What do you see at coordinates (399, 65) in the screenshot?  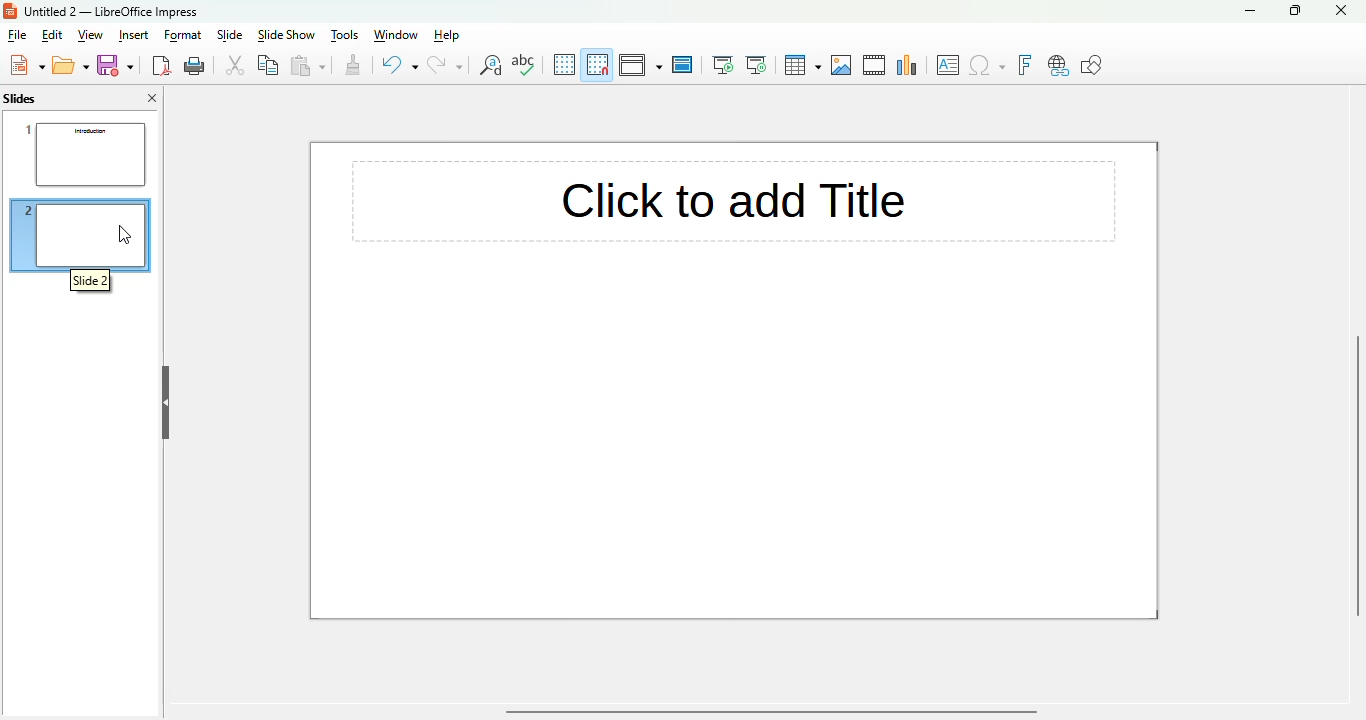 I see `undo` at bounding box center [399, 65].